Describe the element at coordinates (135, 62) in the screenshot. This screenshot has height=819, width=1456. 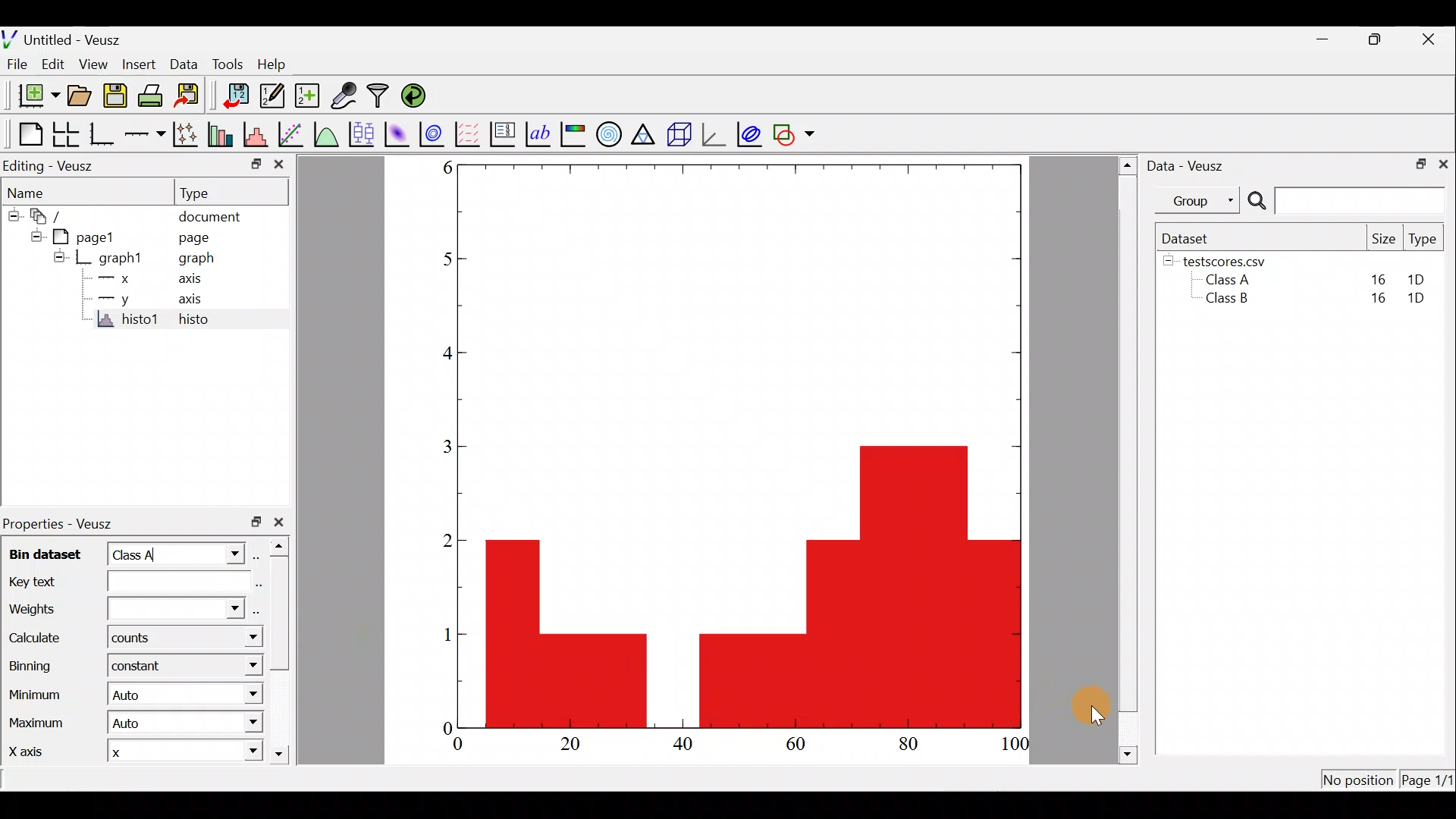
I see `Insert` at that location.